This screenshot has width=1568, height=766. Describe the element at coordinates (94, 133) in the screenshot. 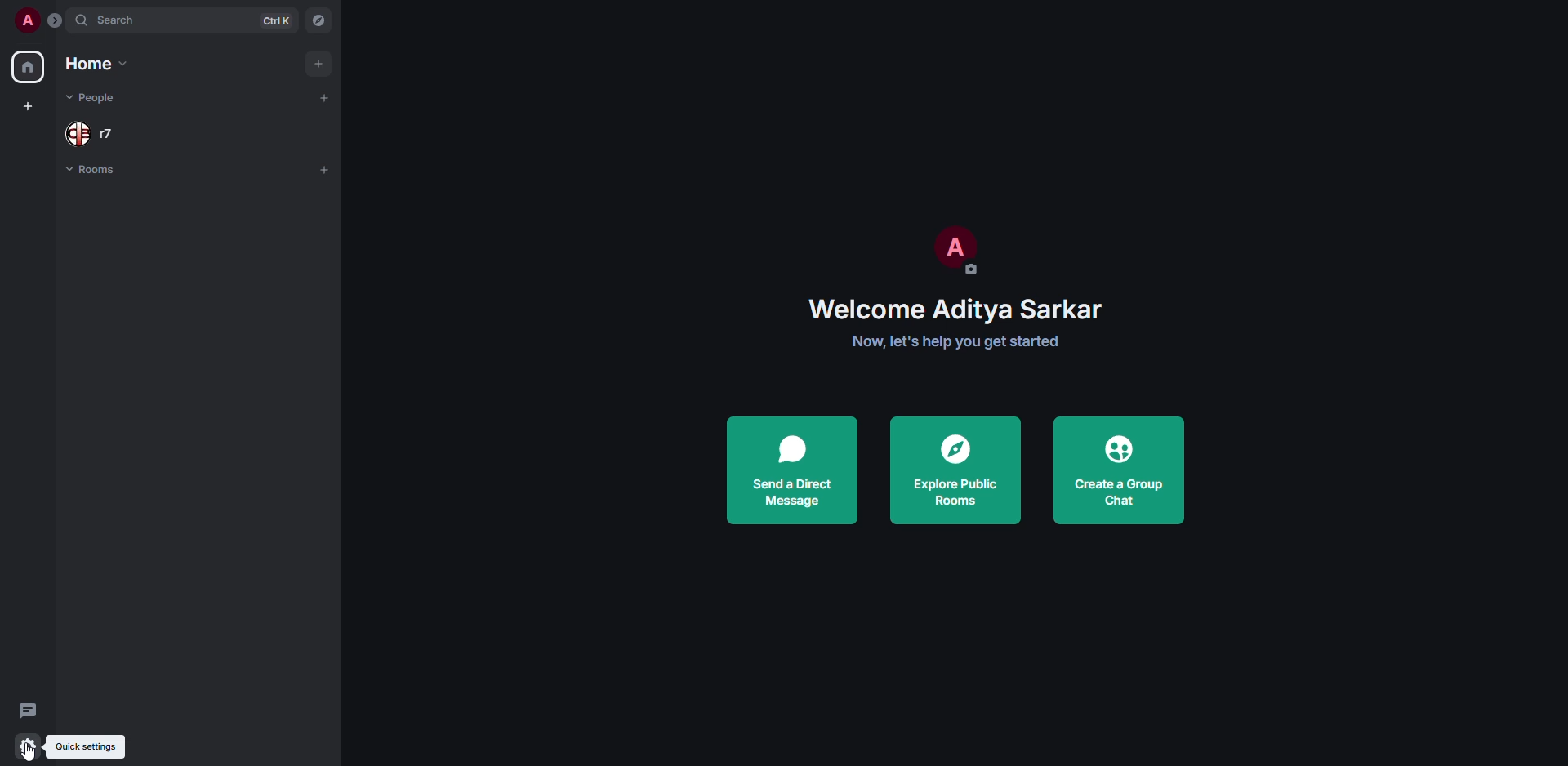

I see `people` at that location.